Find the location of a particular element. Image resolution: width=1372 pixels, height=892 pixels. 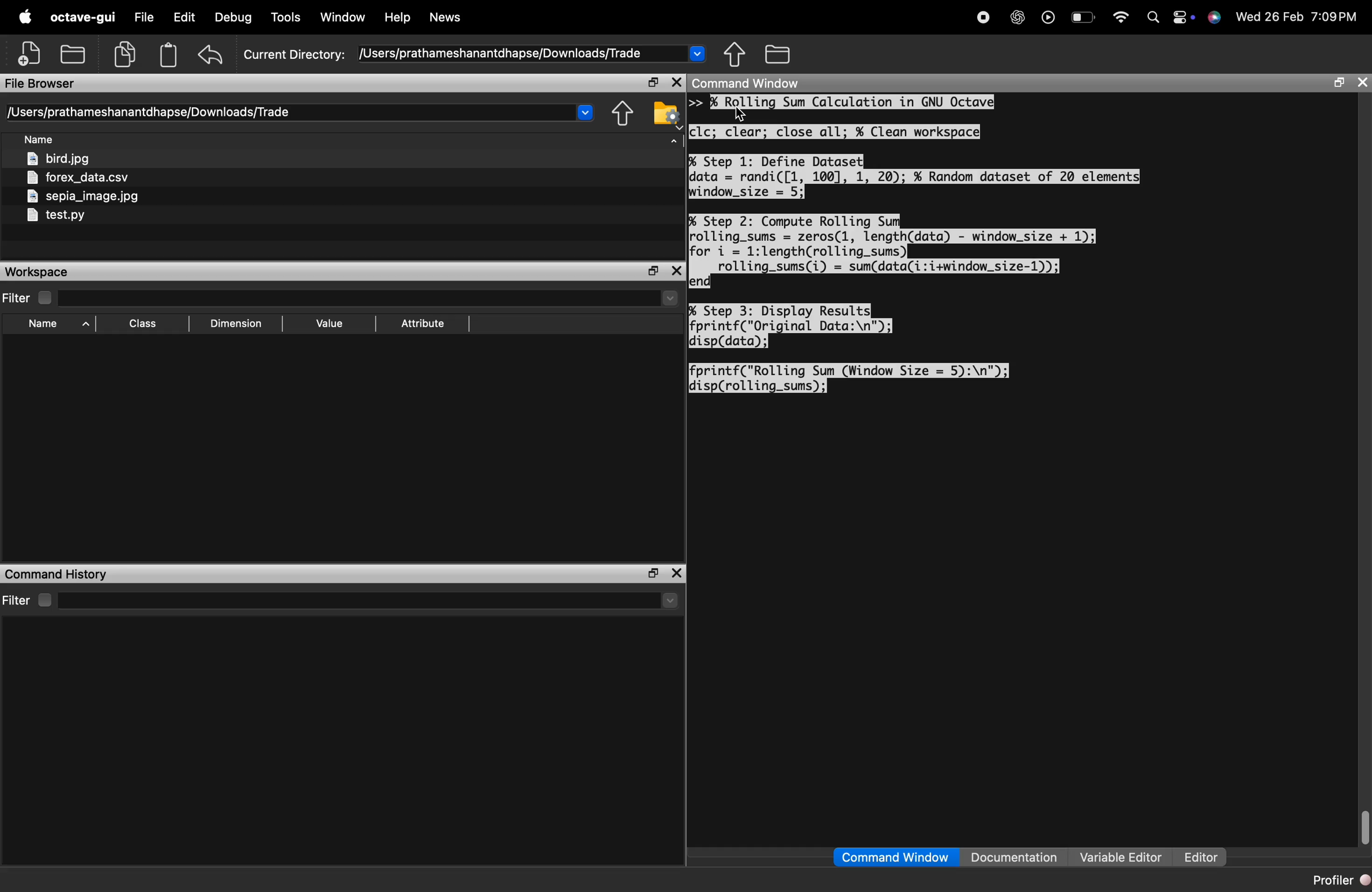

editor is located at coordinates (1201, 858).